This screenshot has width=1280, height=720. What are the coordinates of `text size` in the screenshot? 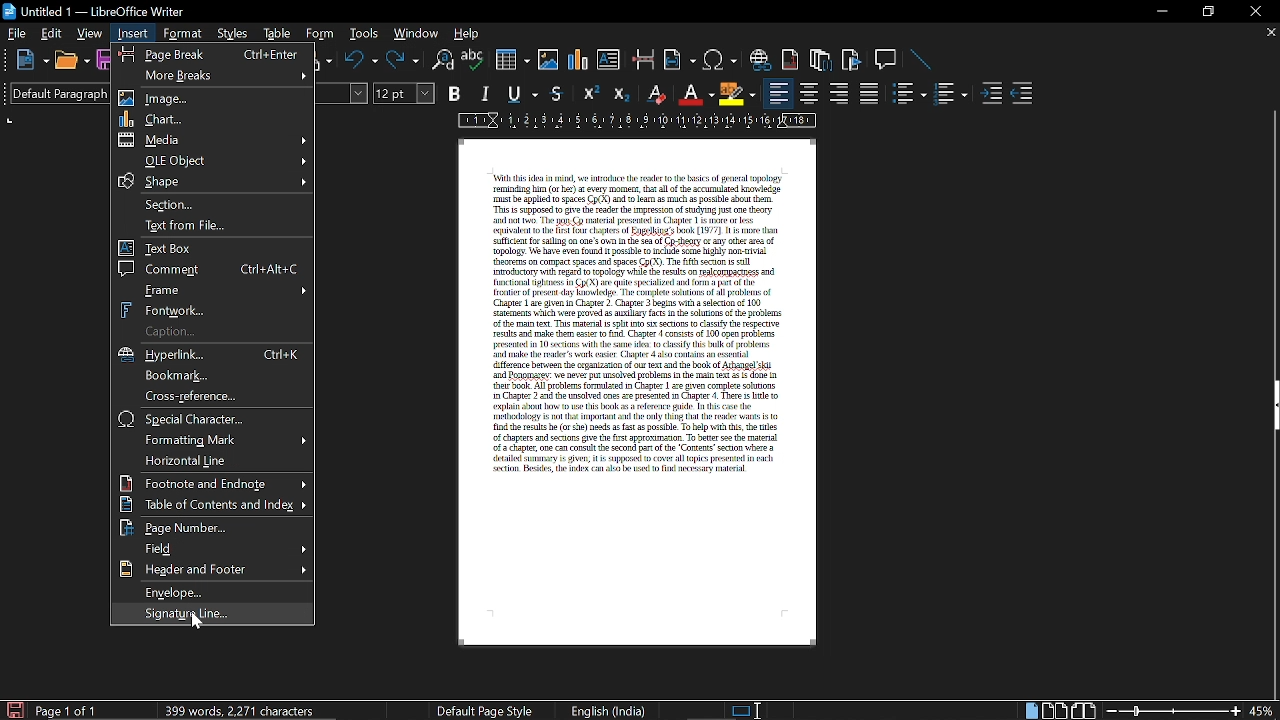 It's located at (404, 94).